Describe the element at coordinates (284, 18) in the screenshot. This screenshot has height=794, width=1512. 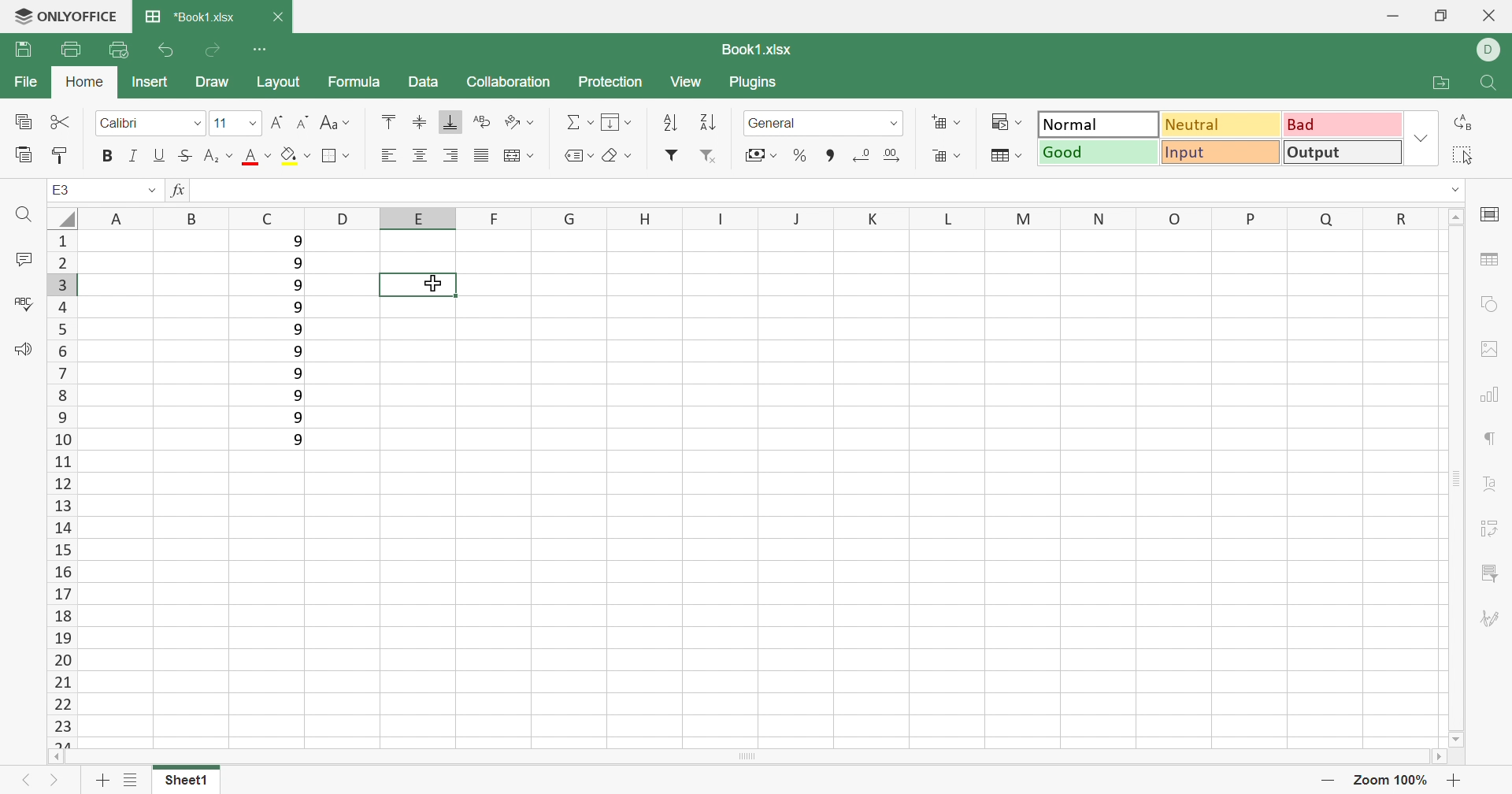
I see `Close` at that location.